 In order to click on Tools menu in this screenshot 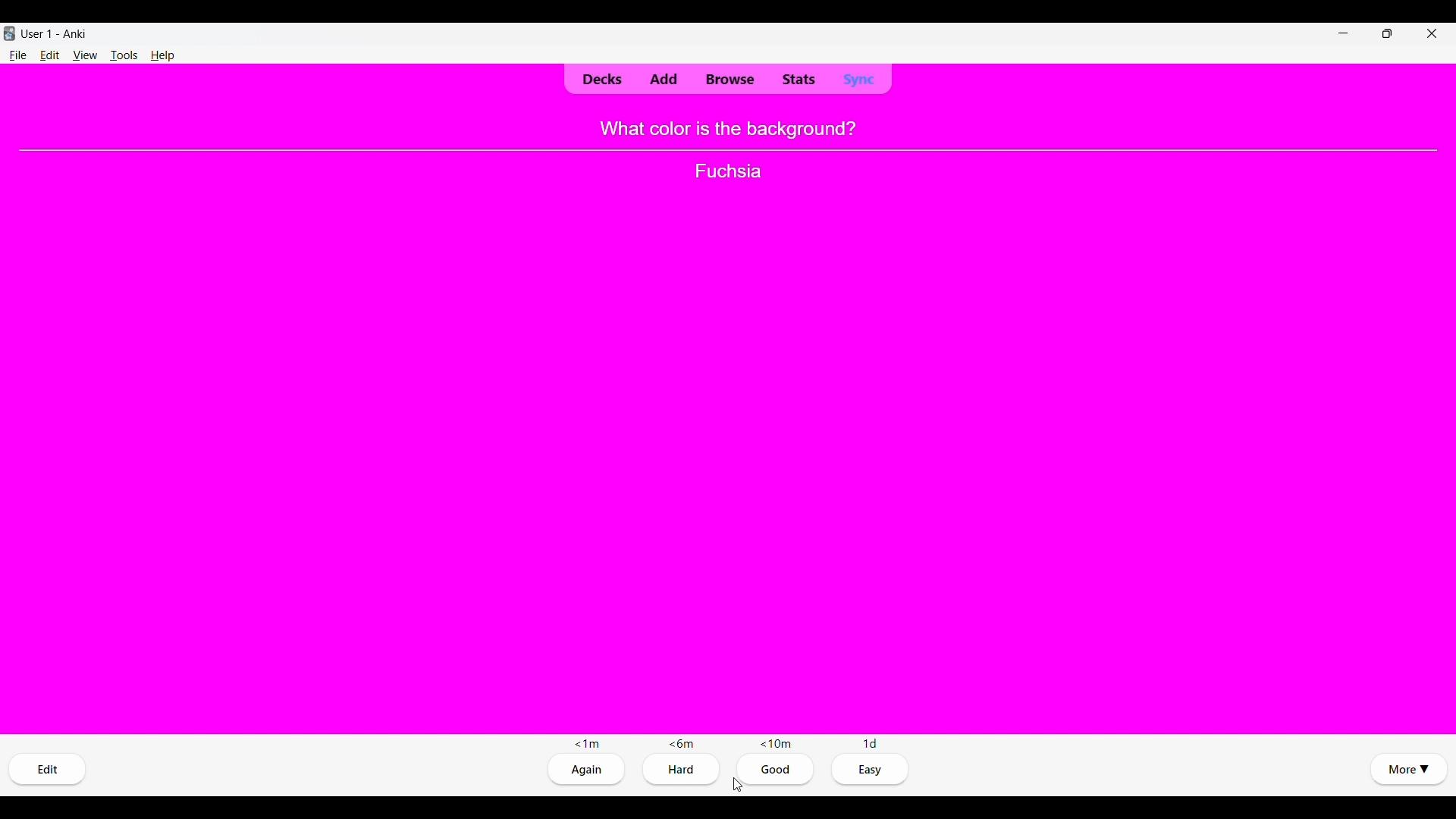, I will do `click(124, 55)`.